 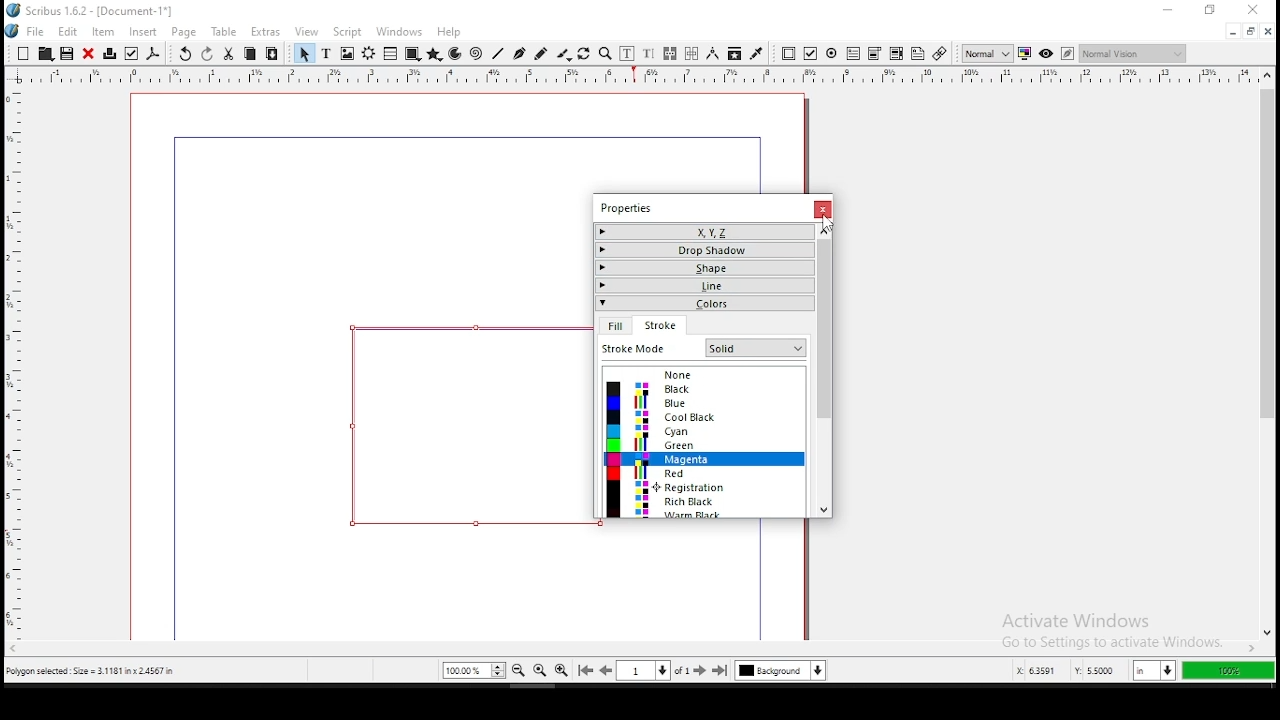 I want to click on arc, so click(x=456, y=54).